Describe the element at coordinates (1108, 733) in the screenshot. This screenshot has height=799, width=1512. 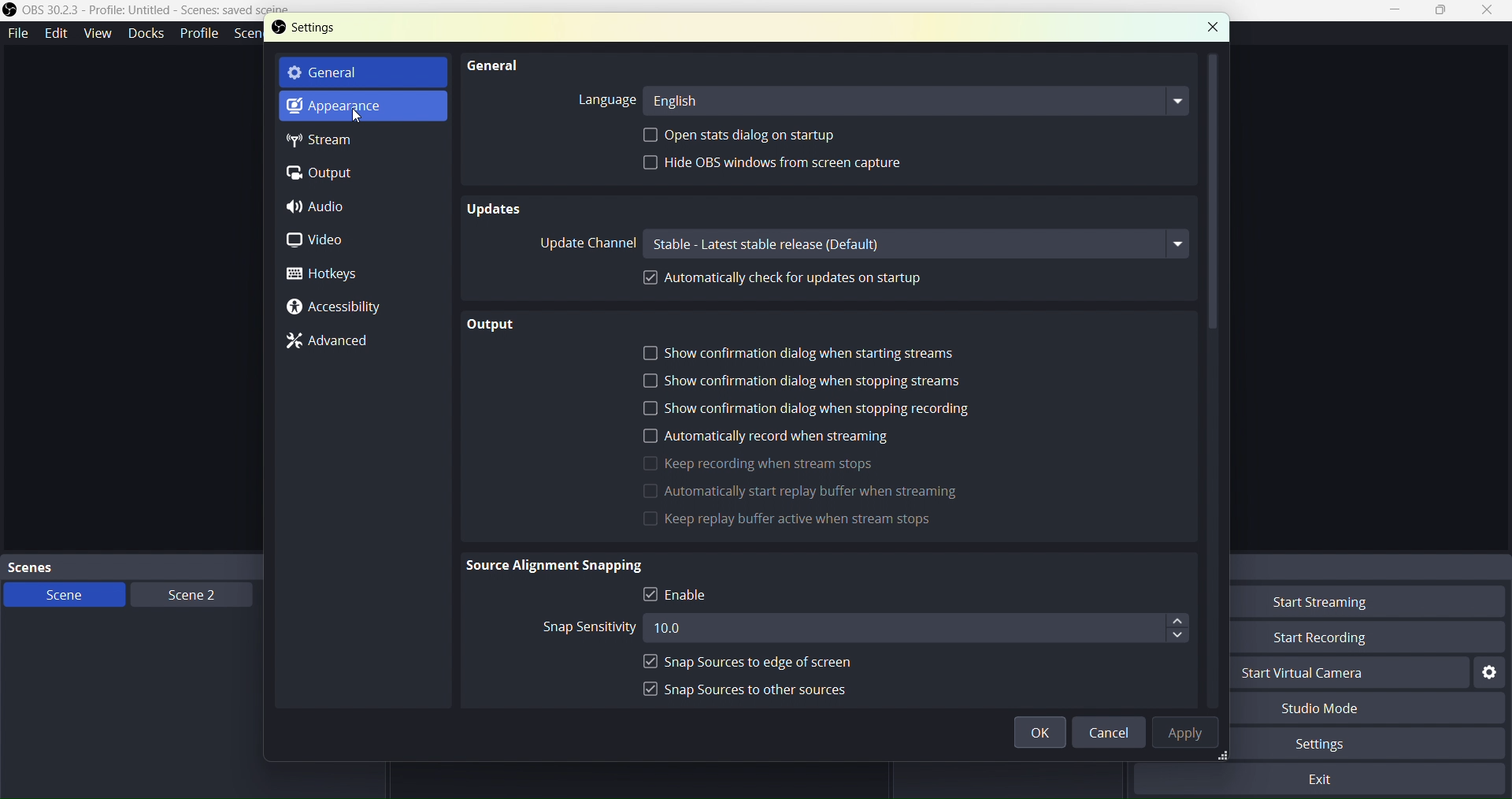
I see `Cancel` at that location.